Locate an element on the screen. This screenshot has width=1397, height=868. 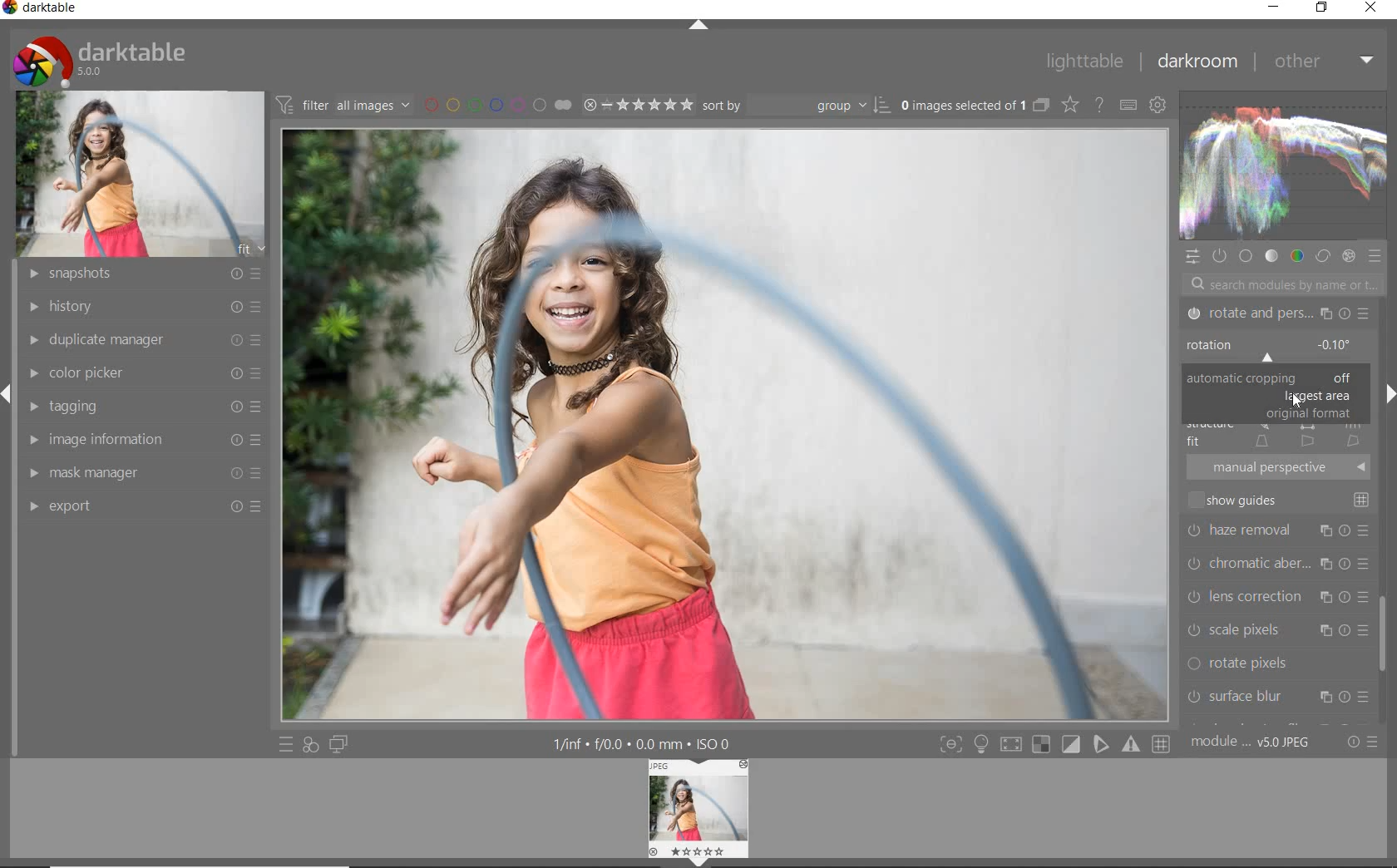
filter images is located at coordinates (343, 104).